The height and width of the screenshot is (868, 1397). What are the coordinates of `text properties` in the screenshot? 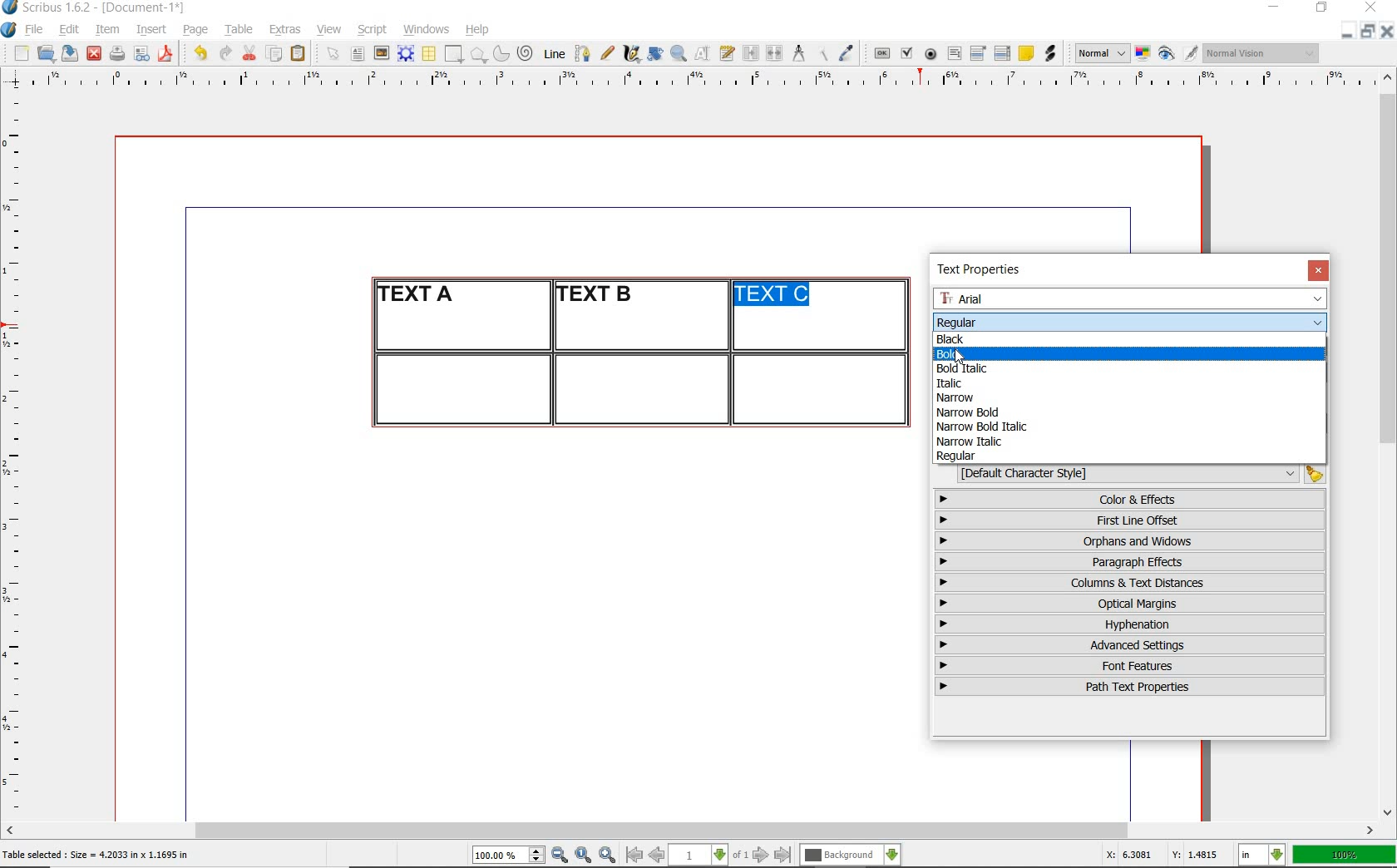 It's located at (985, 269).